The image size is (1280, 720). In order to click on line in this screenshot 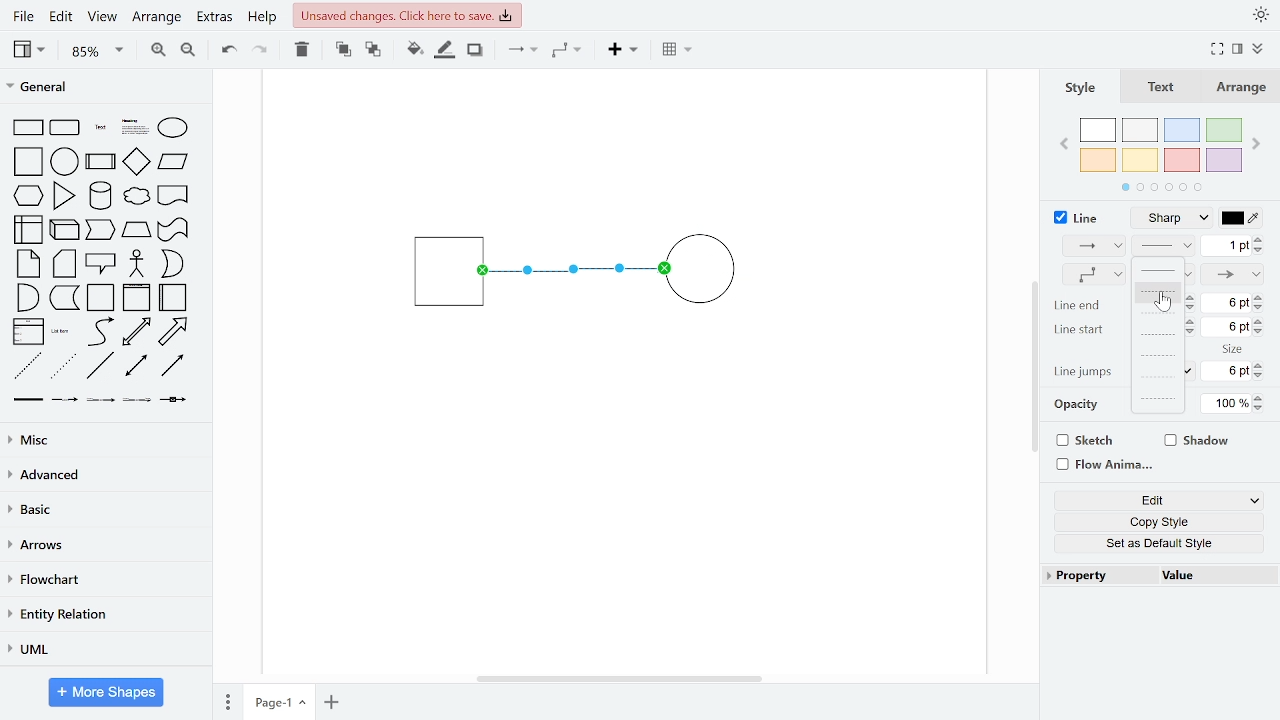, I will do `click(100, 366)`.